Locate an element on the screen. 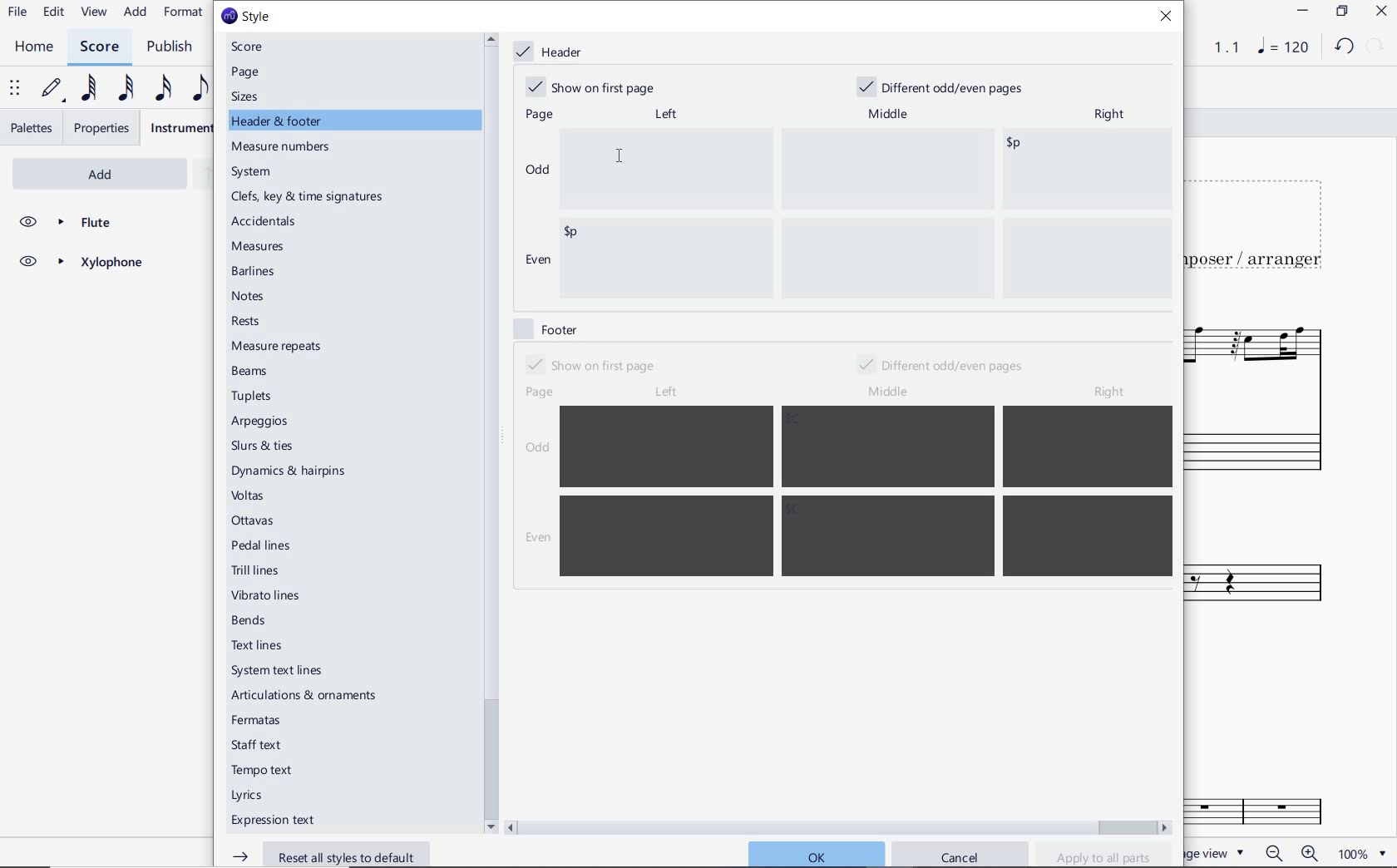 The width and height of the screenshot is (1397, 868). footer is located at coordinates (545, 328).